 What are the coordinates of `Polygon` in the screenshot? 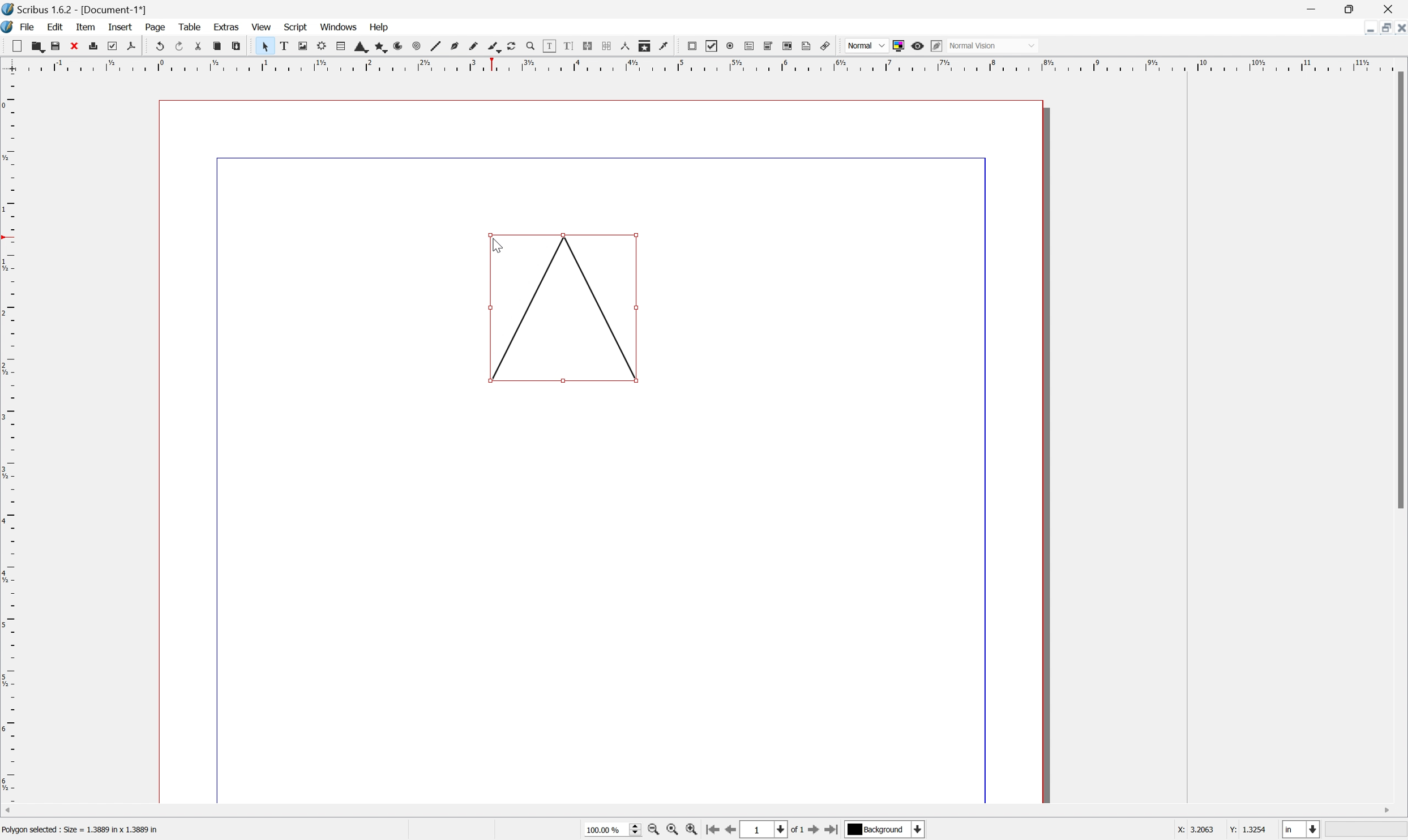 It's located at (376, 47).